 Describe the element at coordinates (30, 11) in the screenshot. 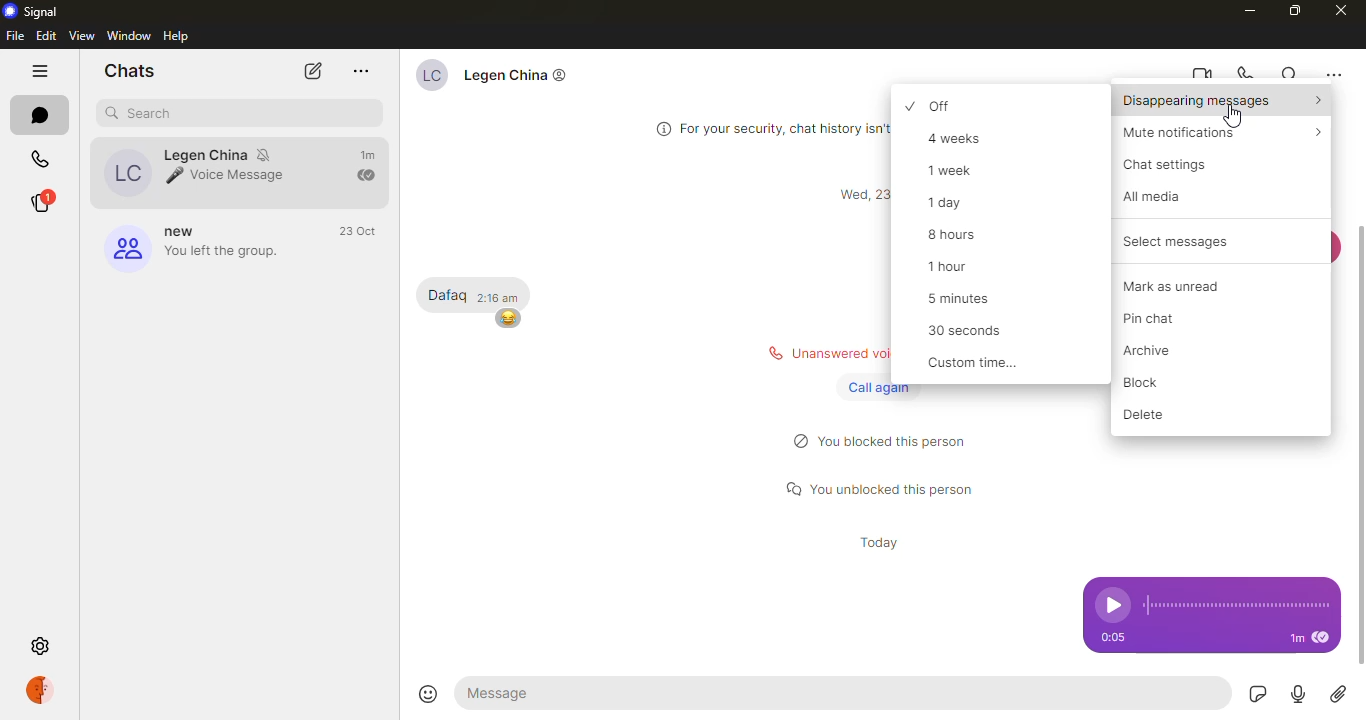

I see `signal` at that location.